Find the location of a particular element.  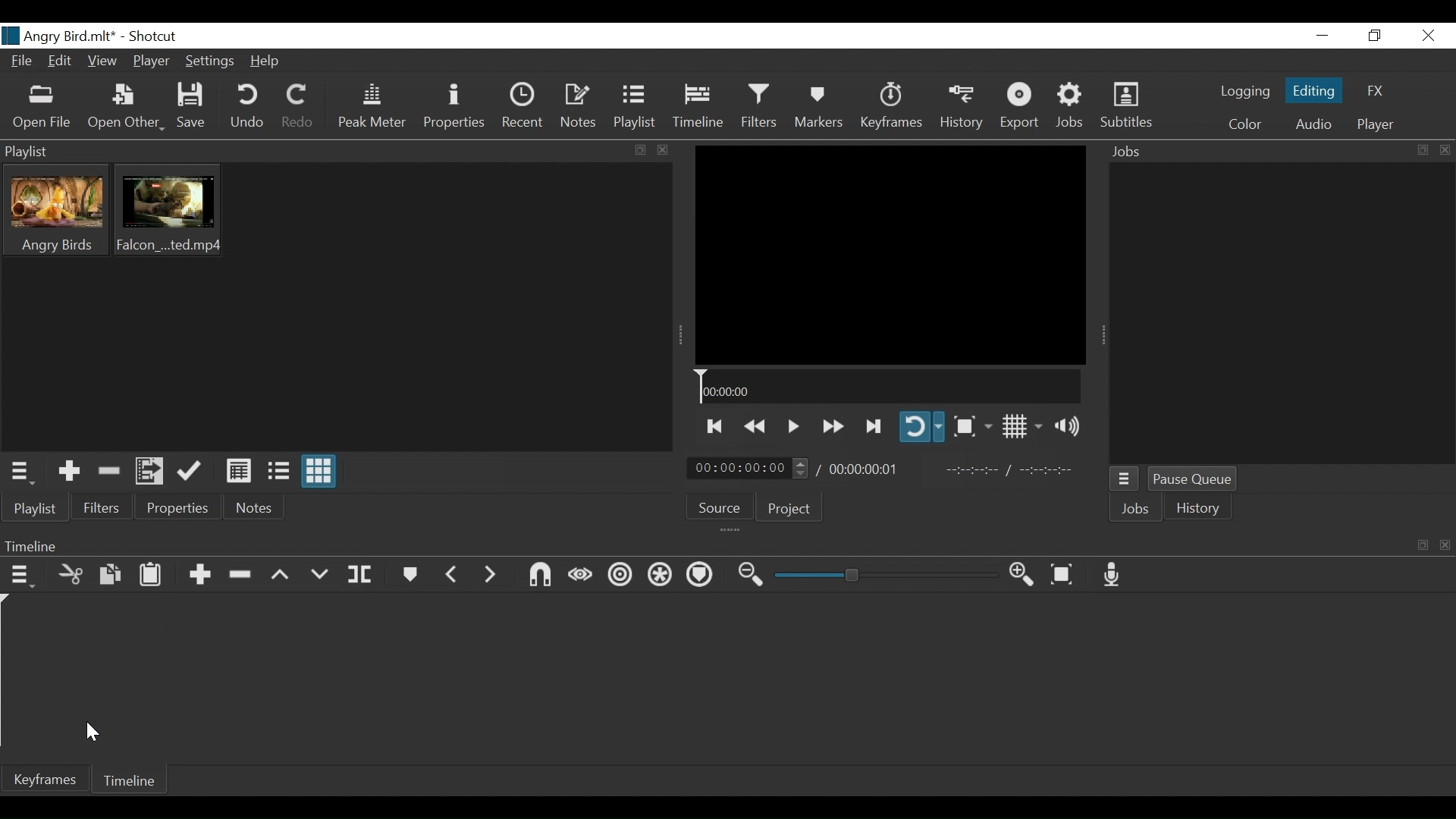

In point is located at coordinates (1012, 469).